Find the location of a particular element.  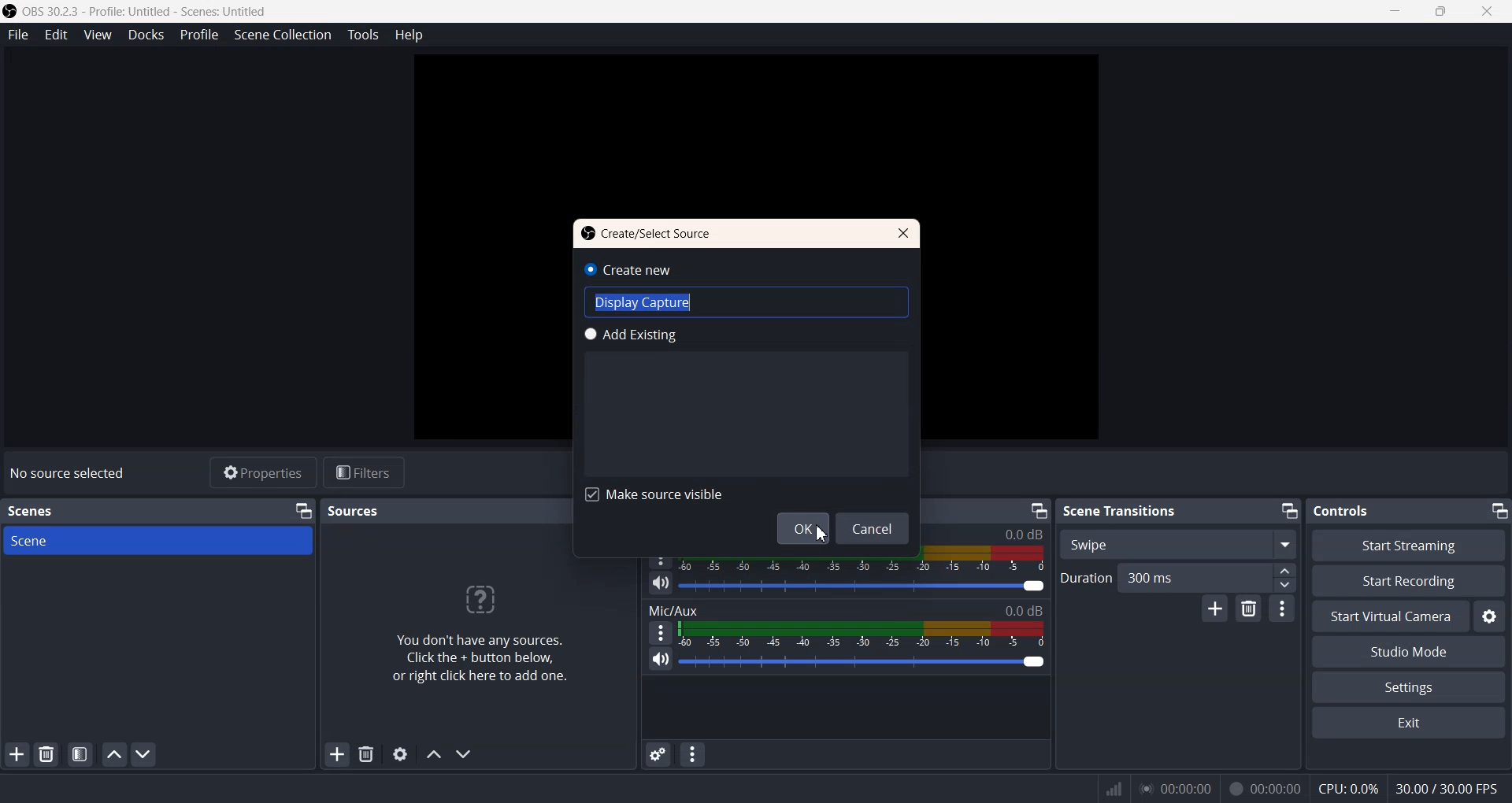

Make Sources Visible is located at coordinates (654, 494).